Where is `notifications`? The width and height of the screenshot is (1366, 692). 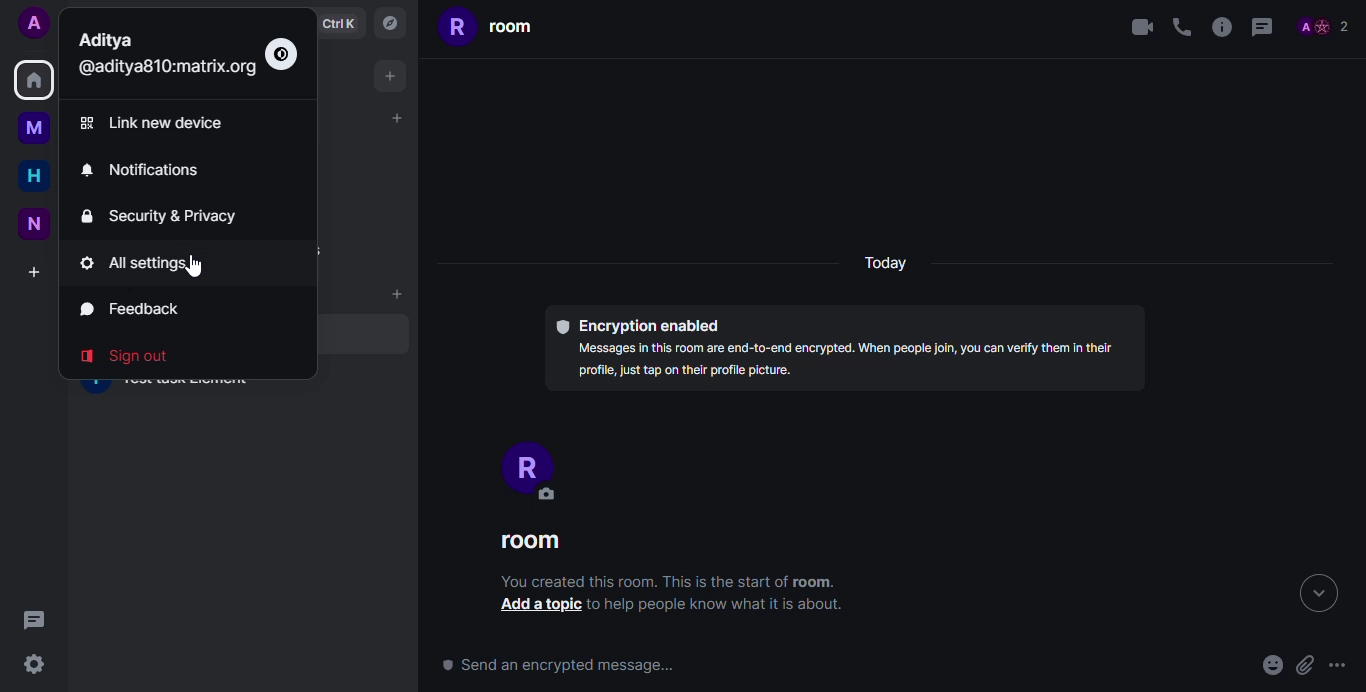
notifications is located at coordinates (137, 169).